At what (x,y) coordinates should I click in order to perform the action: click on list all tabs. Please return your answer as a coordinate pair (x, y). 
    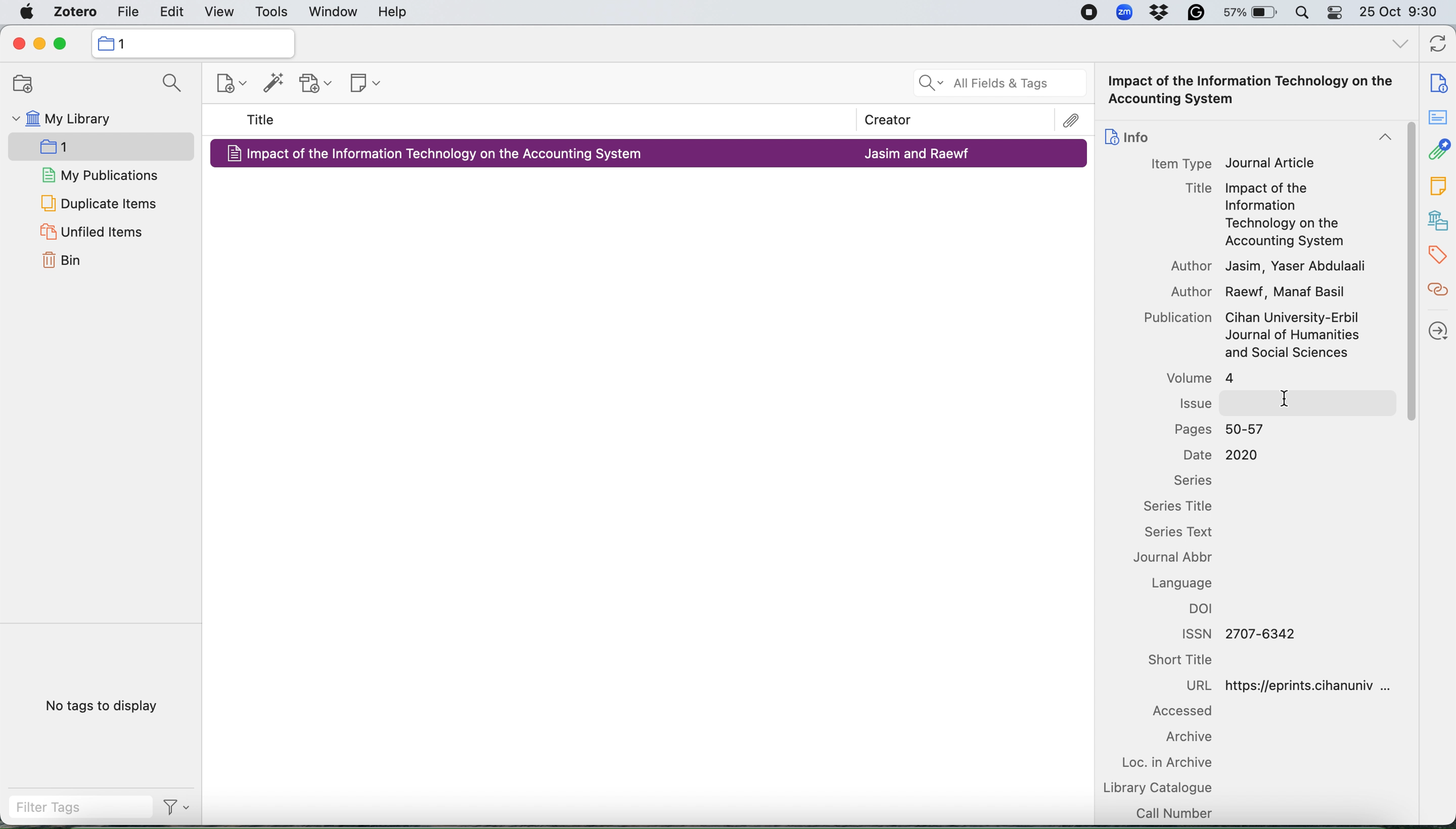
    Looking at the image, I should click on (1396, 46).